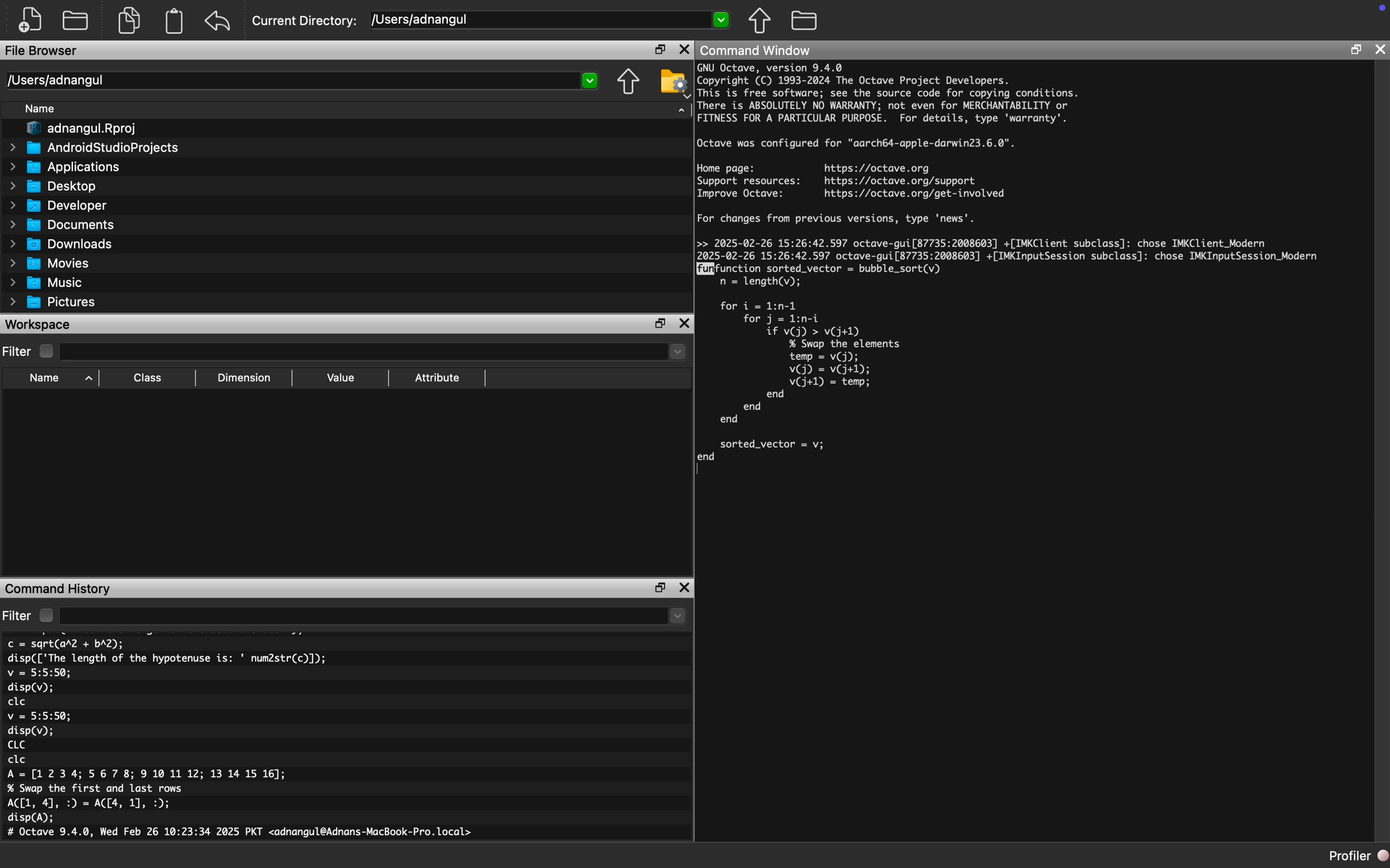 This screenshot has height=868, width=1390. I want to click on Dropdown, so click(376, 353).